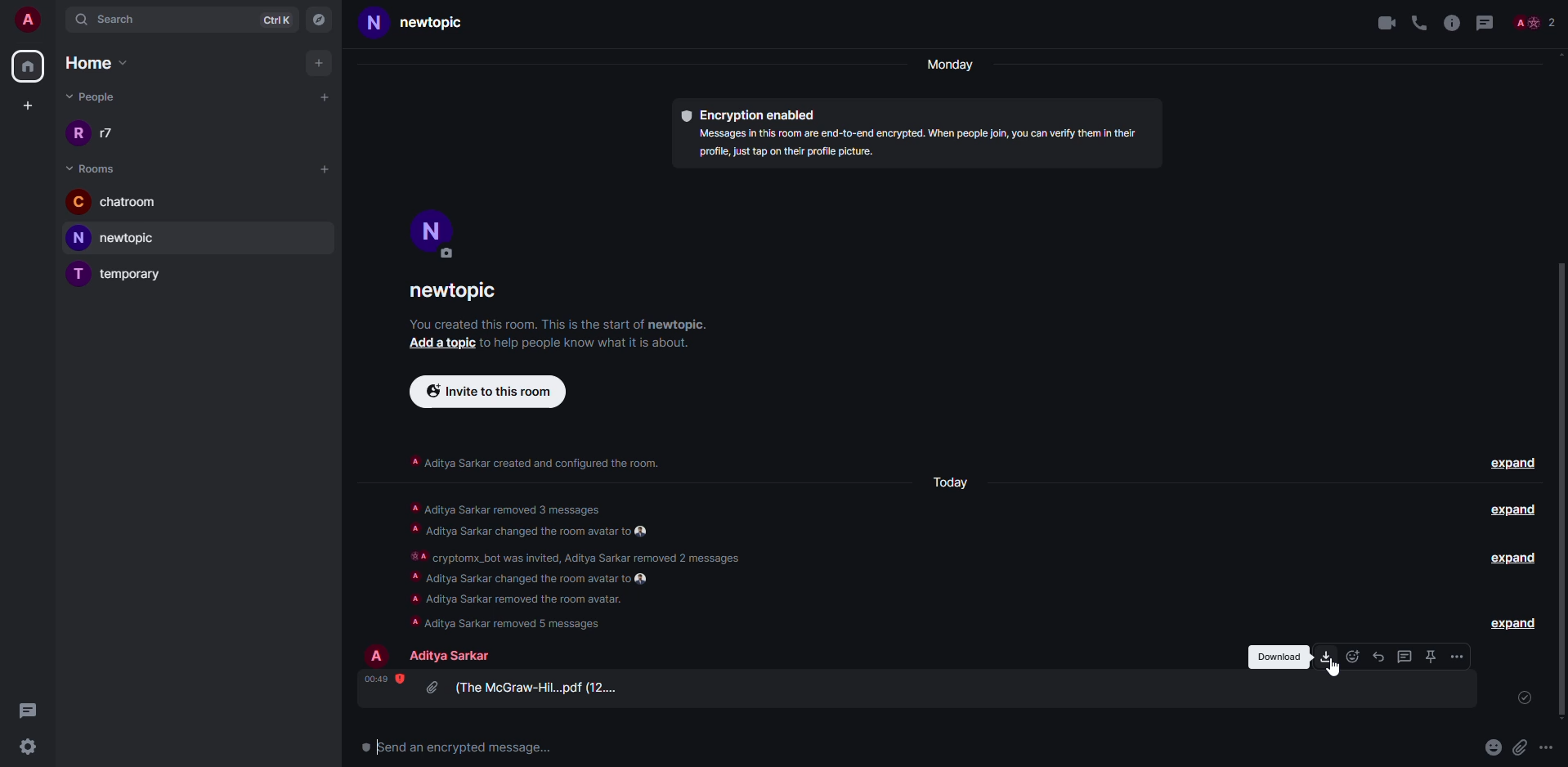 This screenshot has height=767, width=1568. Describe the element at coordinates (1519, 702) in the screenshot. I see `expand` at that location.